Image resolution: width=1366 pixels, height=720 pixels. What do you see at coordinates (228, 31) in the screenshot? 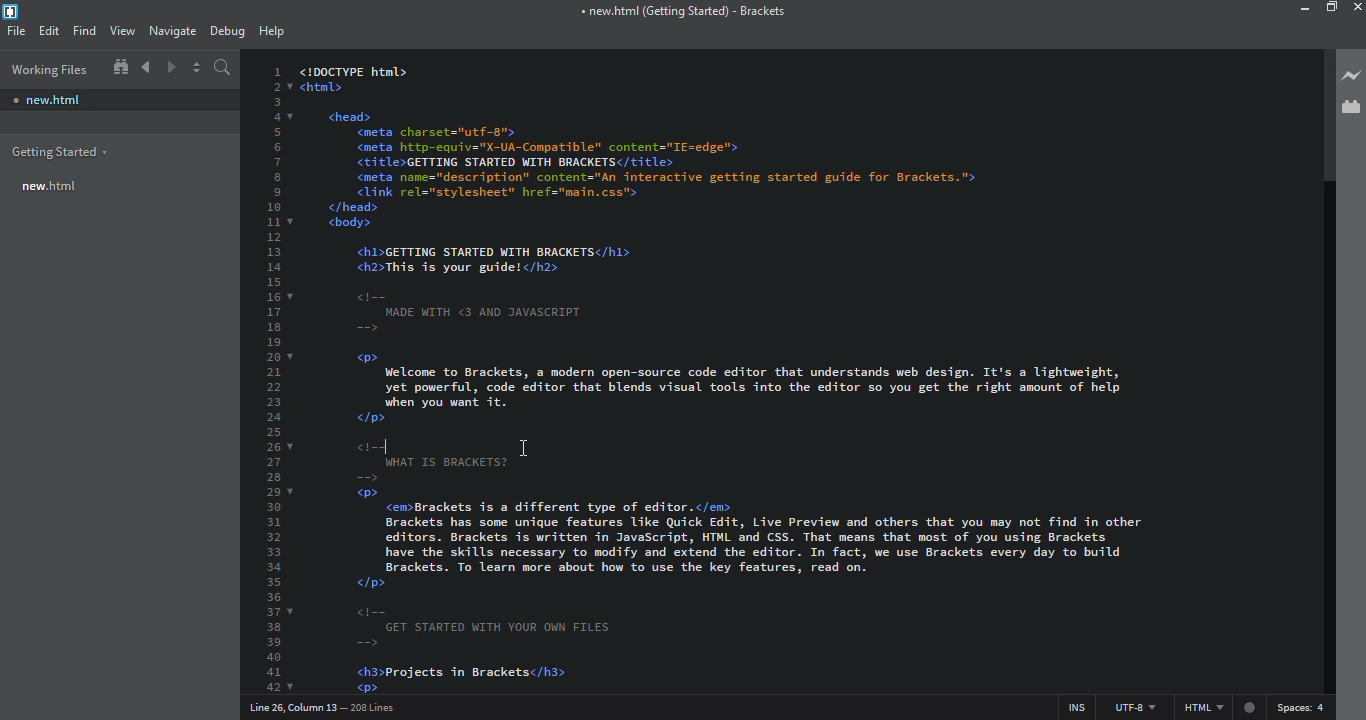
I see `debug` at bounding box center [228, 31].